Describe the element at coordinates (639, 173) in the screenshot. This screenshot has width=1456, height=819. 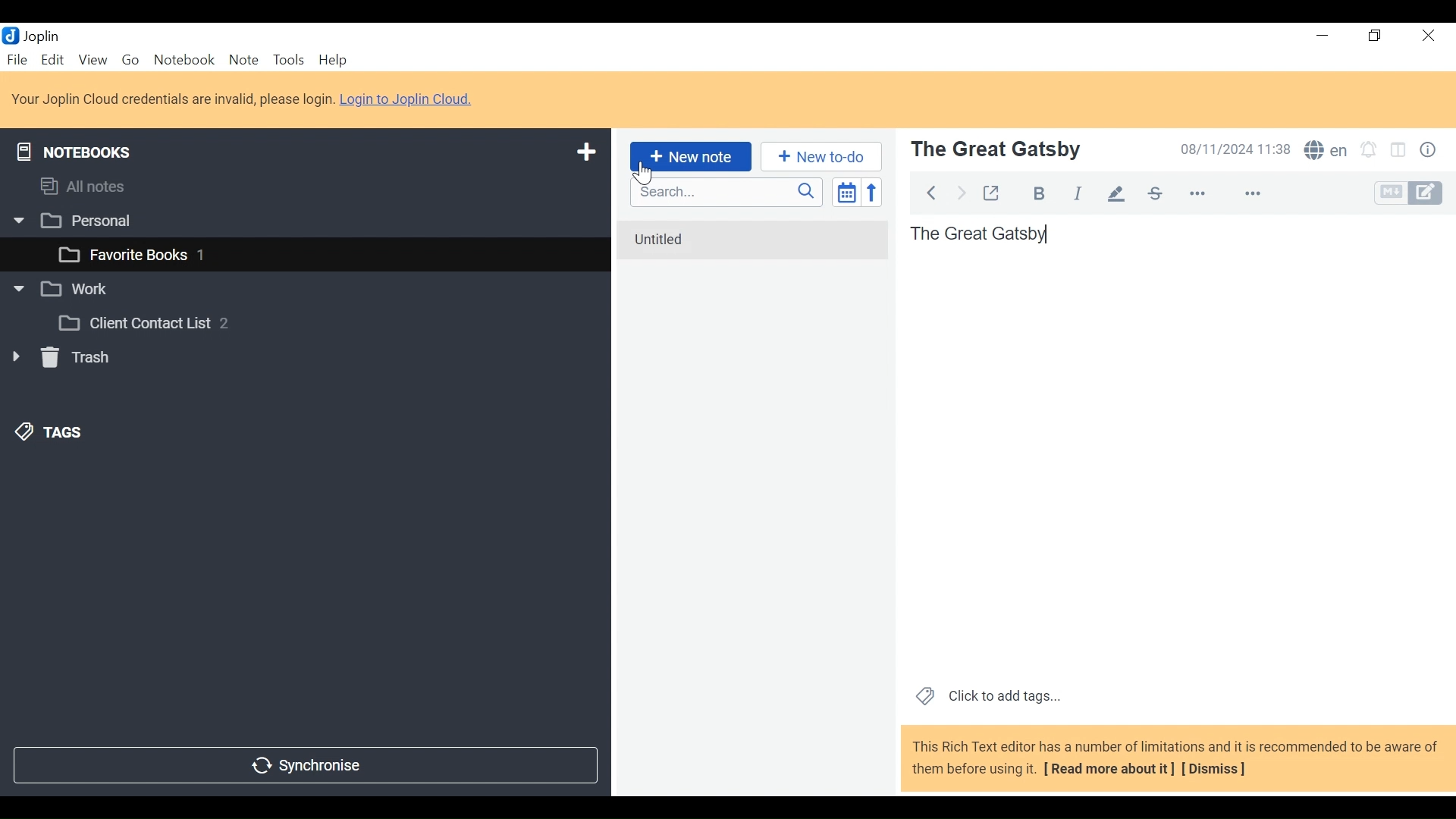
I see `Cursor` at that location.